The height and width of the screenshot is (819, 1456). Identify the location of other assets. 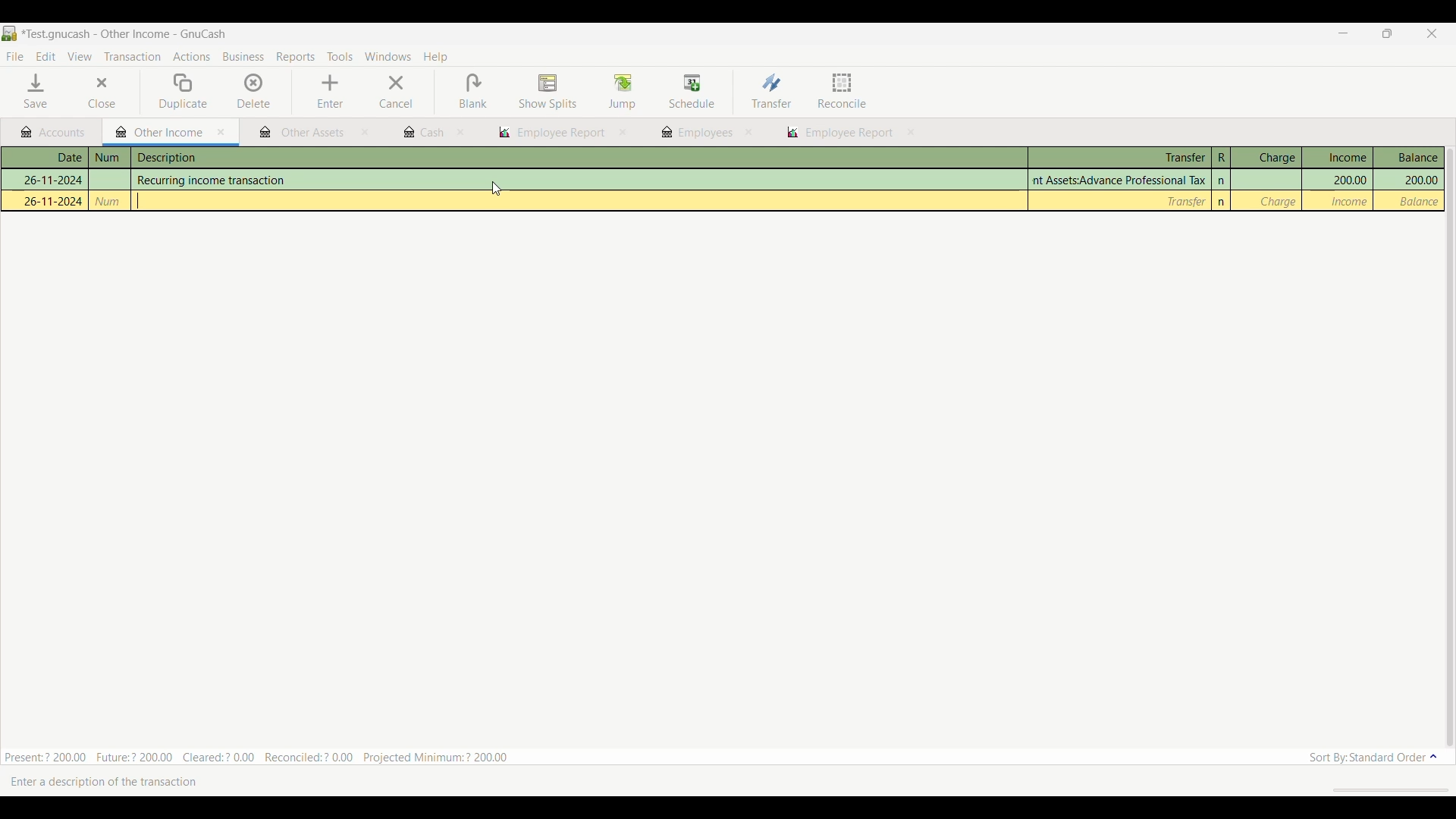
(303, 133).